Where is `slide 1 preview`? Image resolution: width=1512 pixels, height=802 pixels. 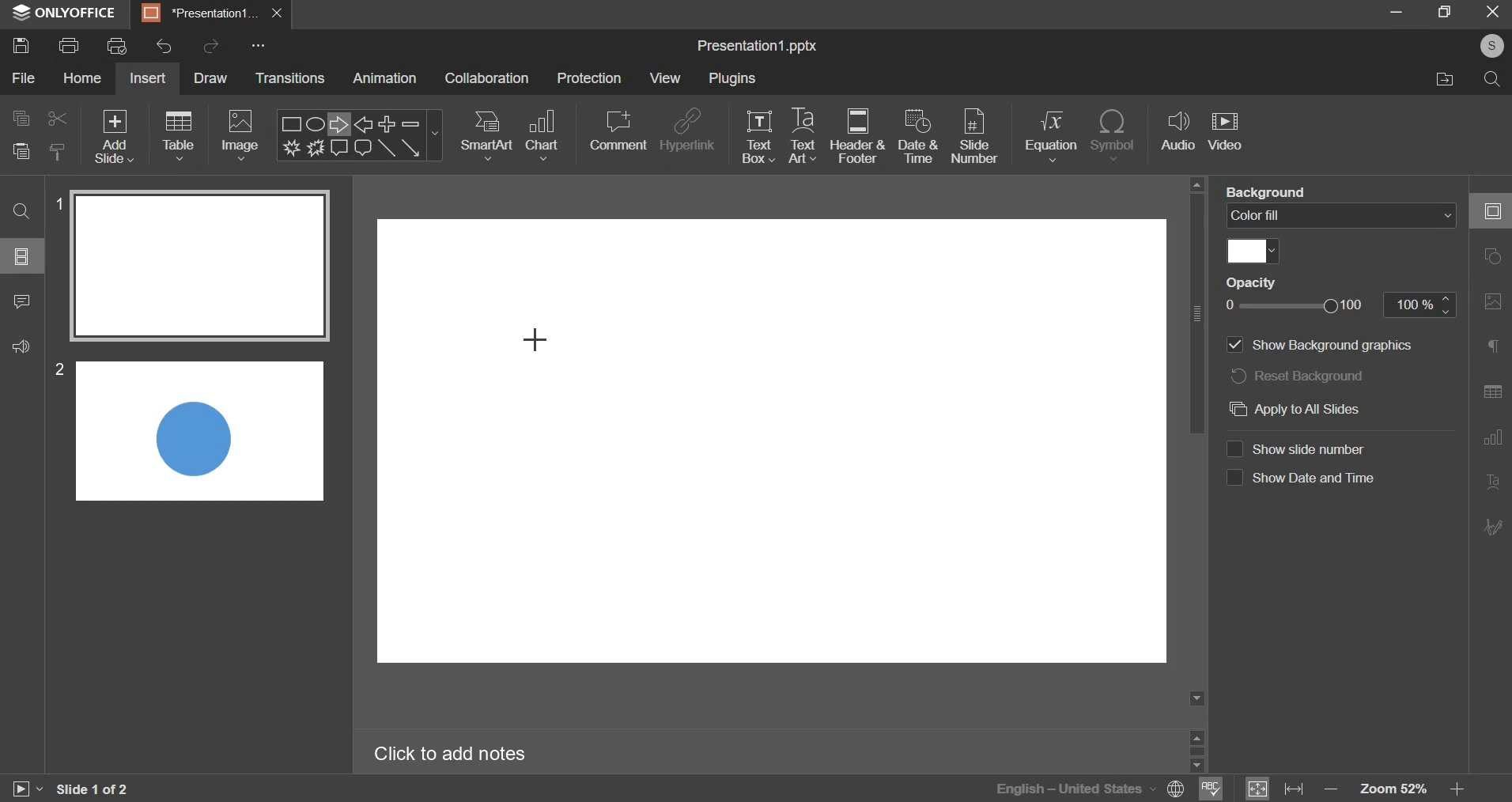
slide 1 preview is located at coordinates (202, 267).